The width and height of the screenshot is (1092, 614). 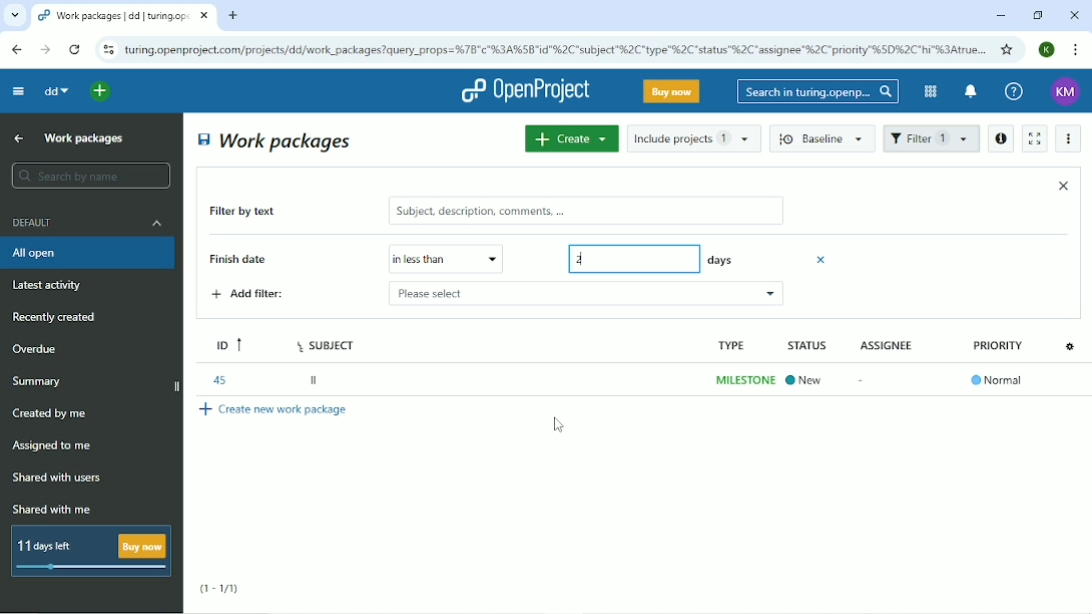 What do you see at coordinates (808, 346) in the screenshot?
I see `STATUS` at bounding box center [808, 346].